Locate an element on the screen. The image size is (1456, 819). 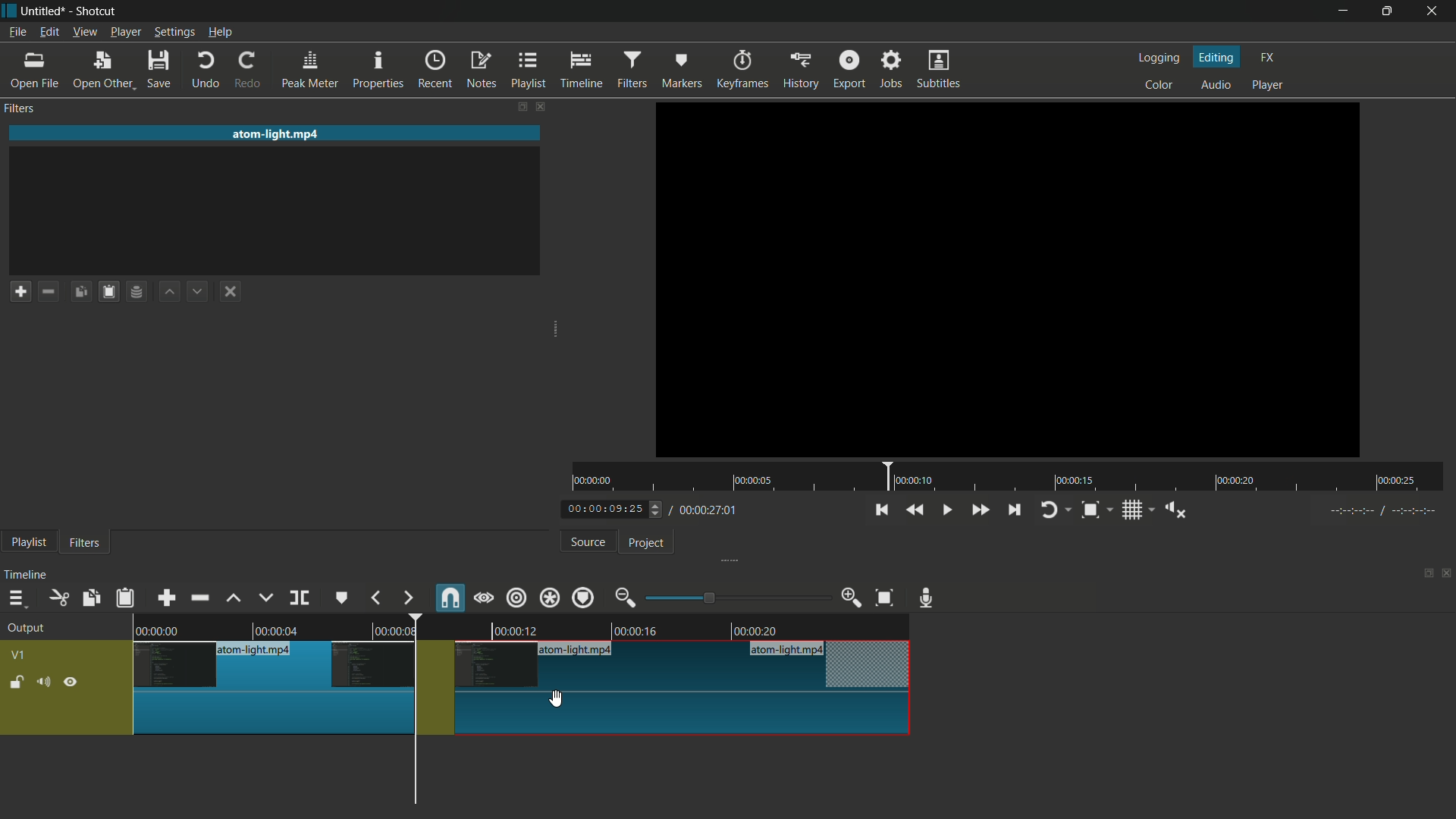
quickly play forward is located at coordinates (979, 510).